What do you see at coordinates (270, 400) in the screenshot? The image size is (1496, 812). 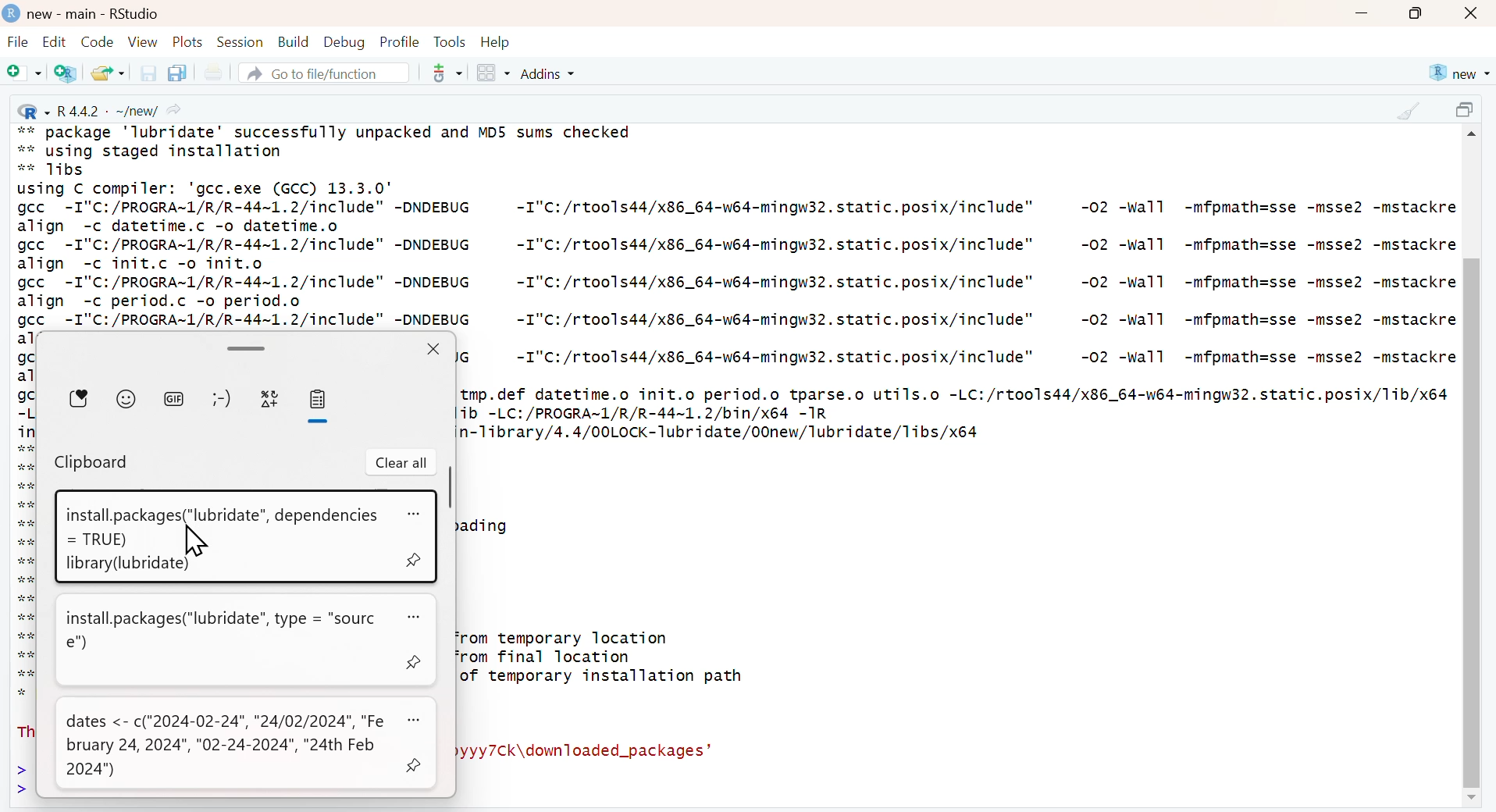 I see `special characters` at bounding box center [270, 400].